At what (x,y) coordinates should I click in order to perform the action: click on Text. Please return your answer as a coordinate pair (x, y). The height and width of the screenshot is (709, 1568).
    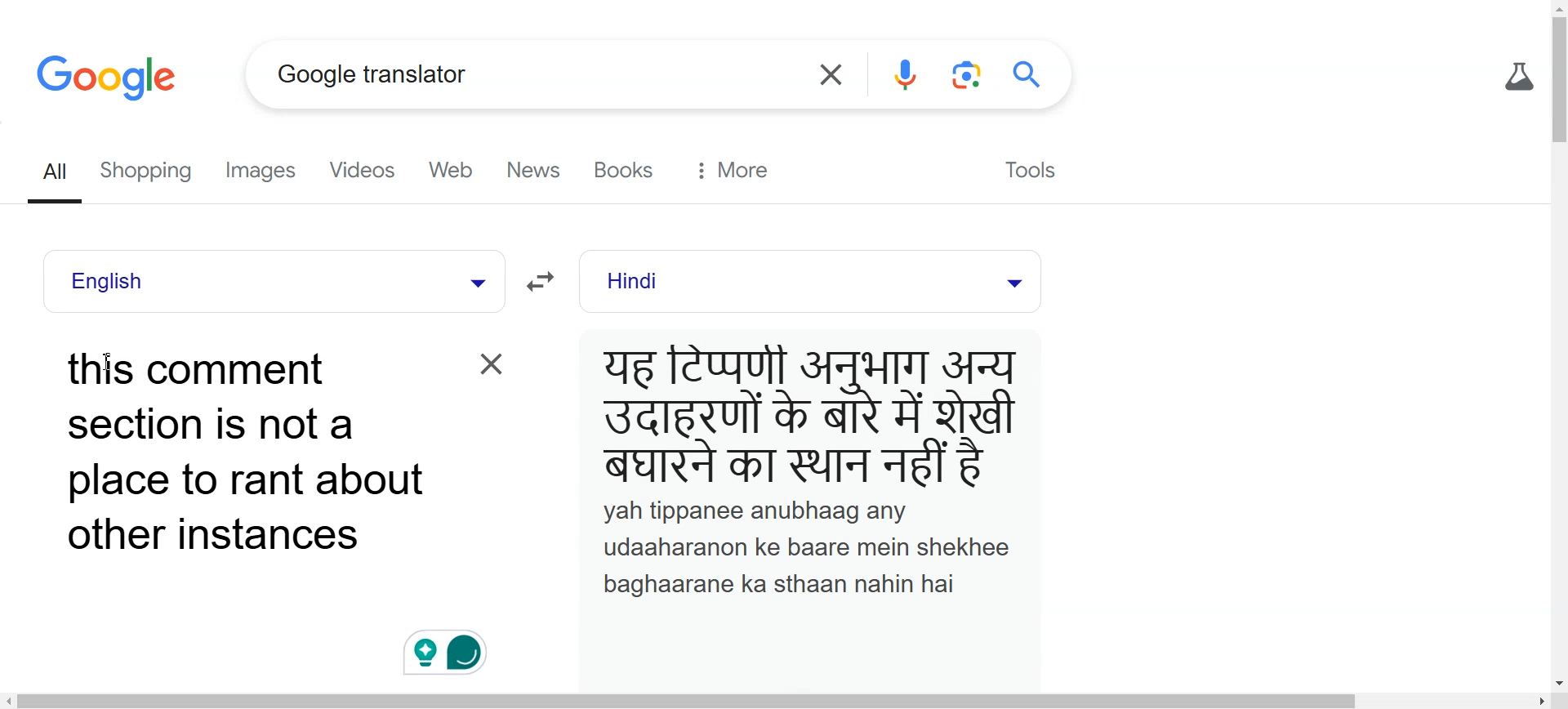
    Looking at the image, I should click on (813, 469).